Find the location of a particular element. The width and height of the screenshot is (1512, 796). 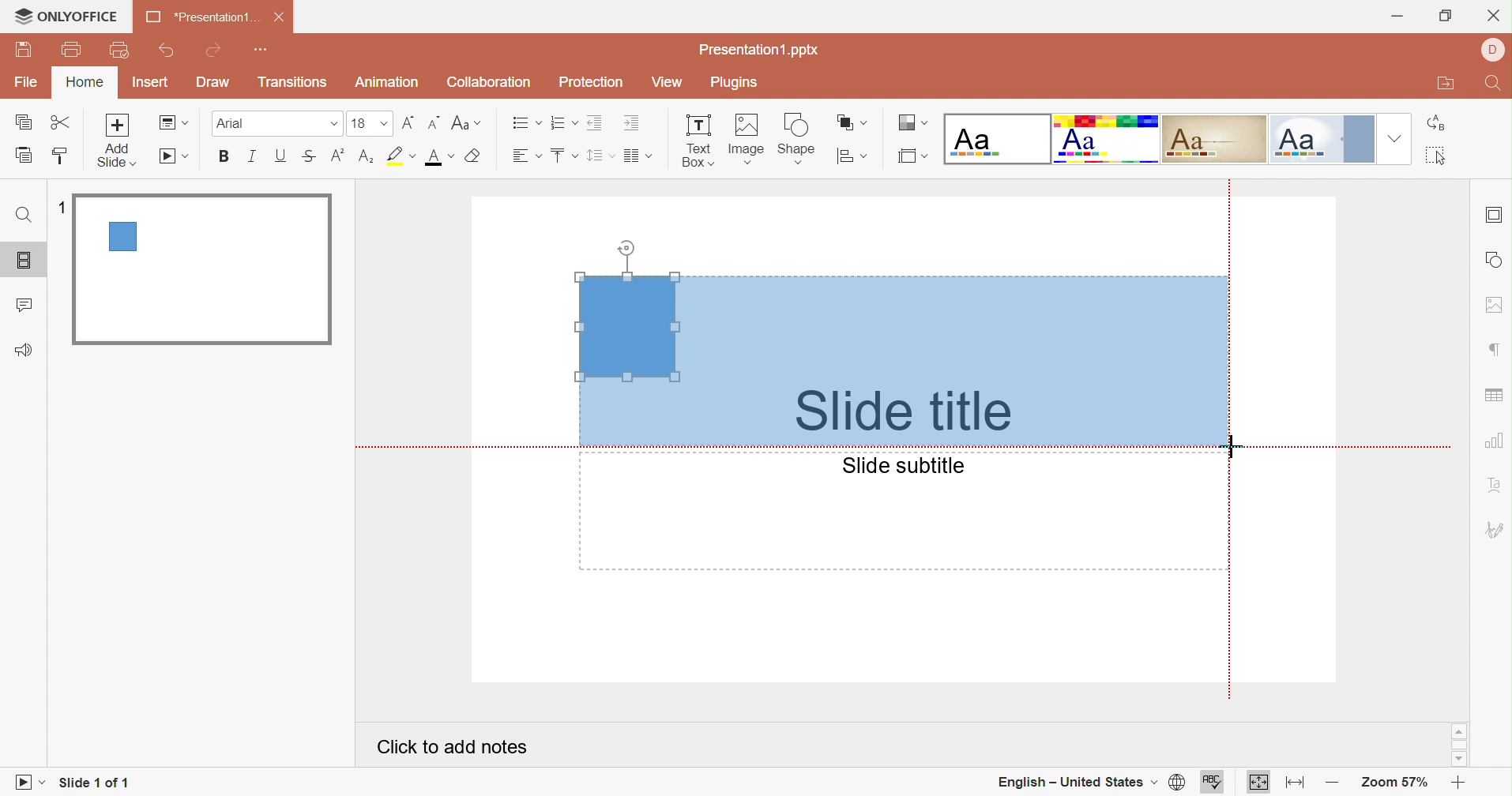

Close is located at coordinates (1494, 17).